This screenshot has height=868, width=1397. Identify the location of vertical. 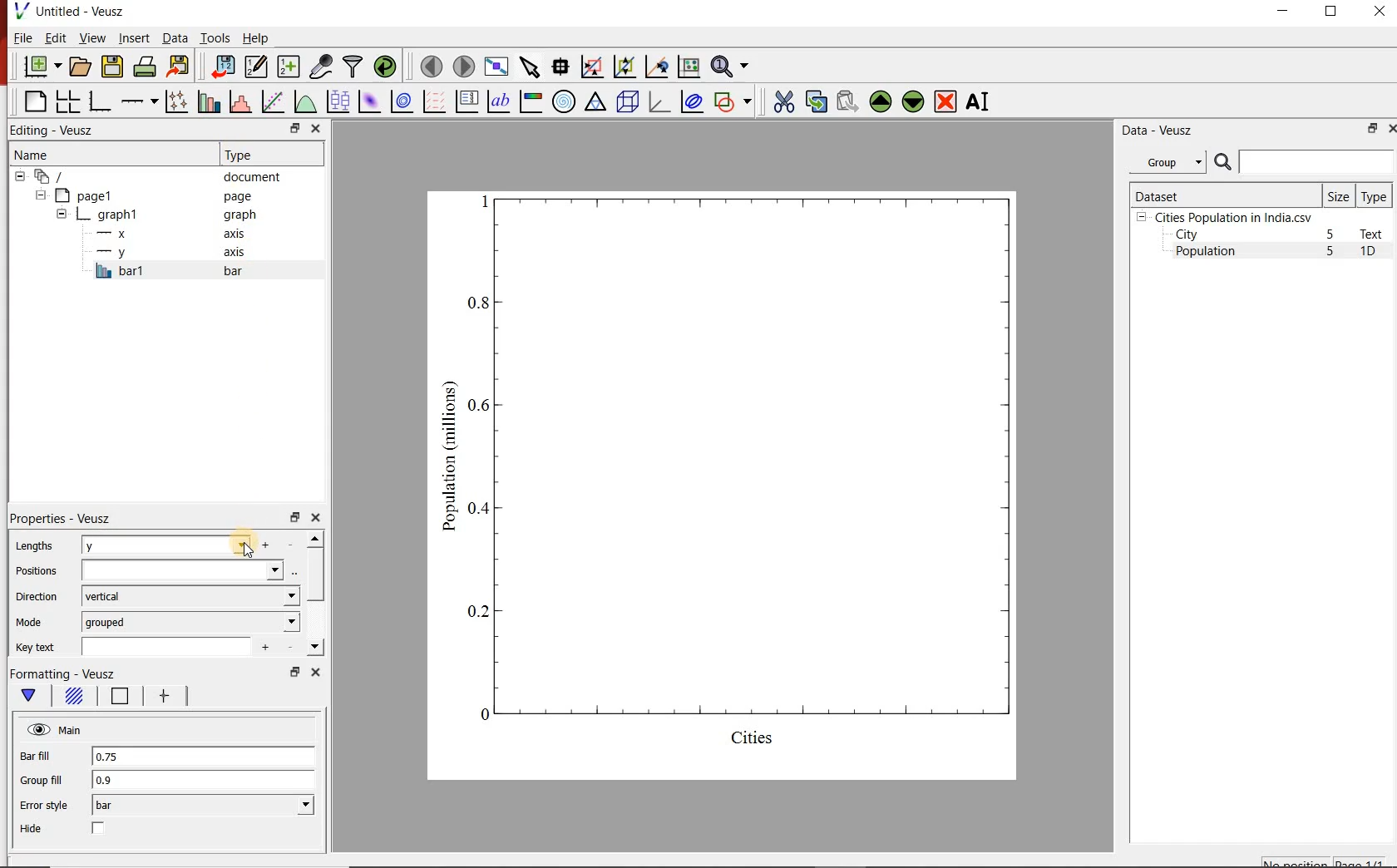
(190, 596).